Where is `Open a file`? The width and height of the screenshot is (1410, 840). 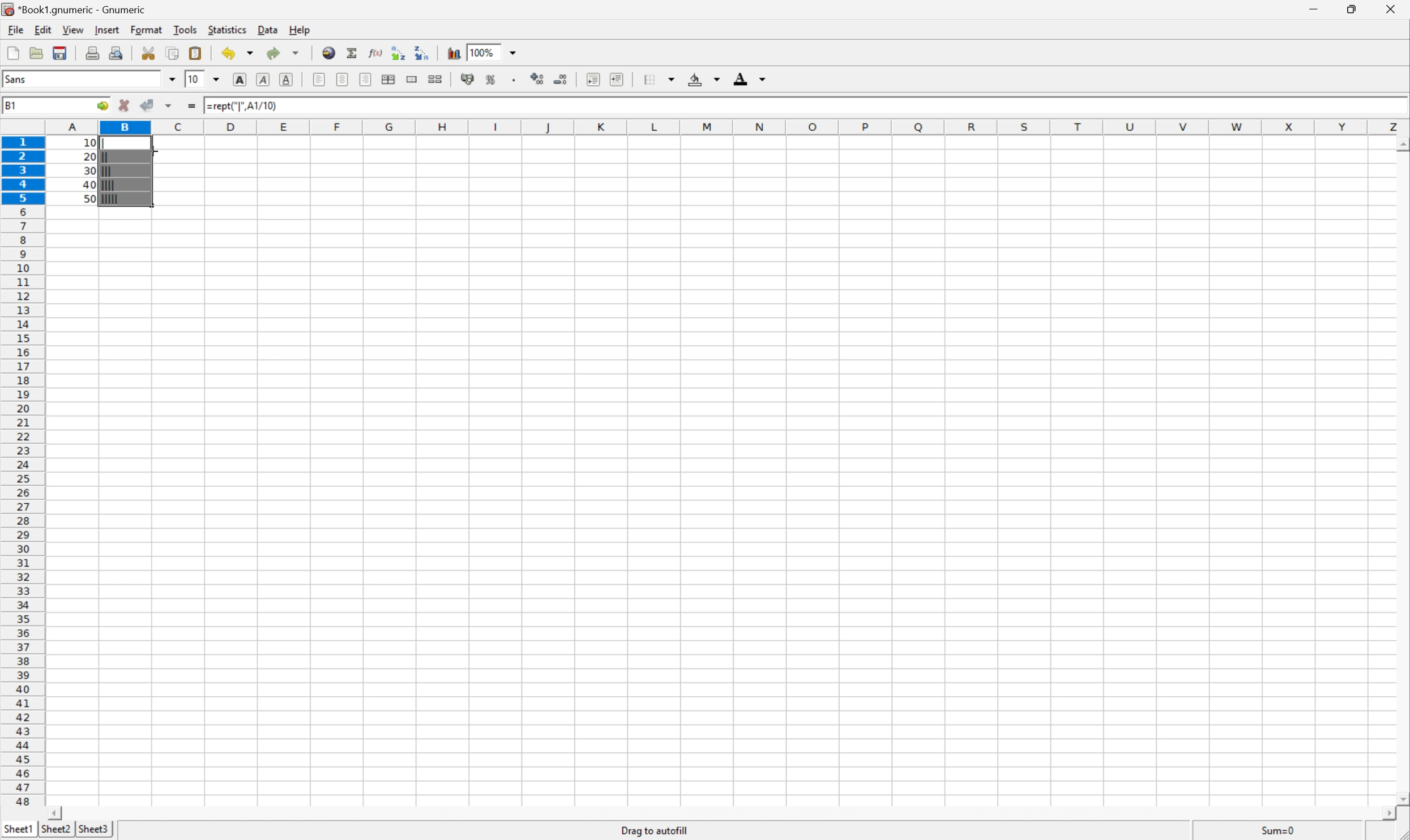
Open a file is located at coordinates (36, 53).